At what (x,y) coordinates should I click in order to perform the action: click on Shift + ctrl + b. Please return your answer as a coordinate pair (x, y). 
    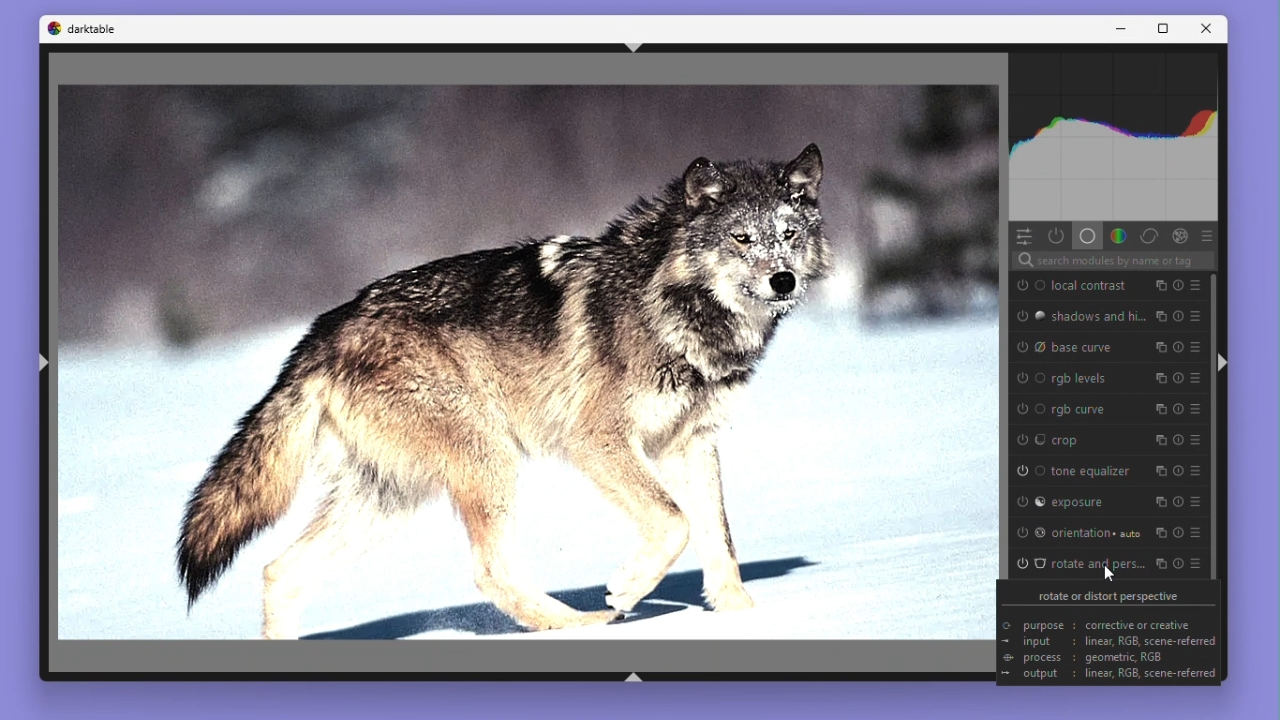
    Looking at the image, I should click on (633, 674).